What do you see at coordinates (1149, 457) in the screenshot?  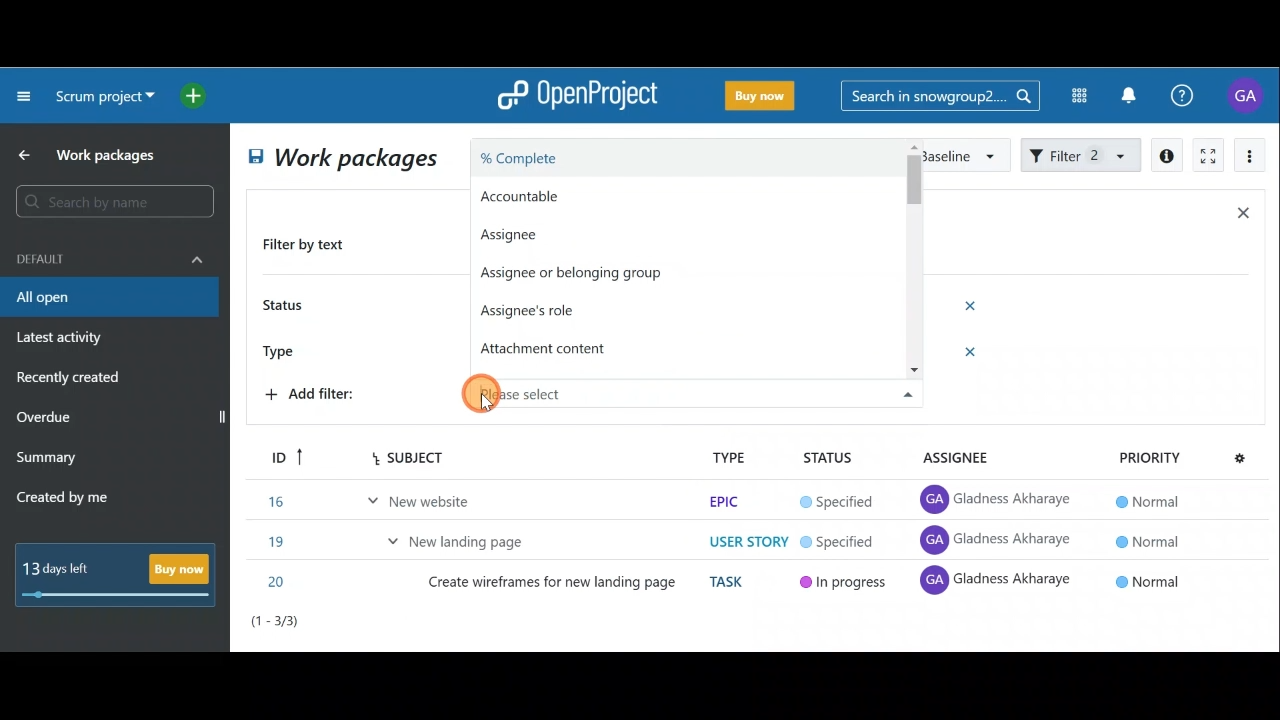 I see `priority` at bounding box center [1149, 457].